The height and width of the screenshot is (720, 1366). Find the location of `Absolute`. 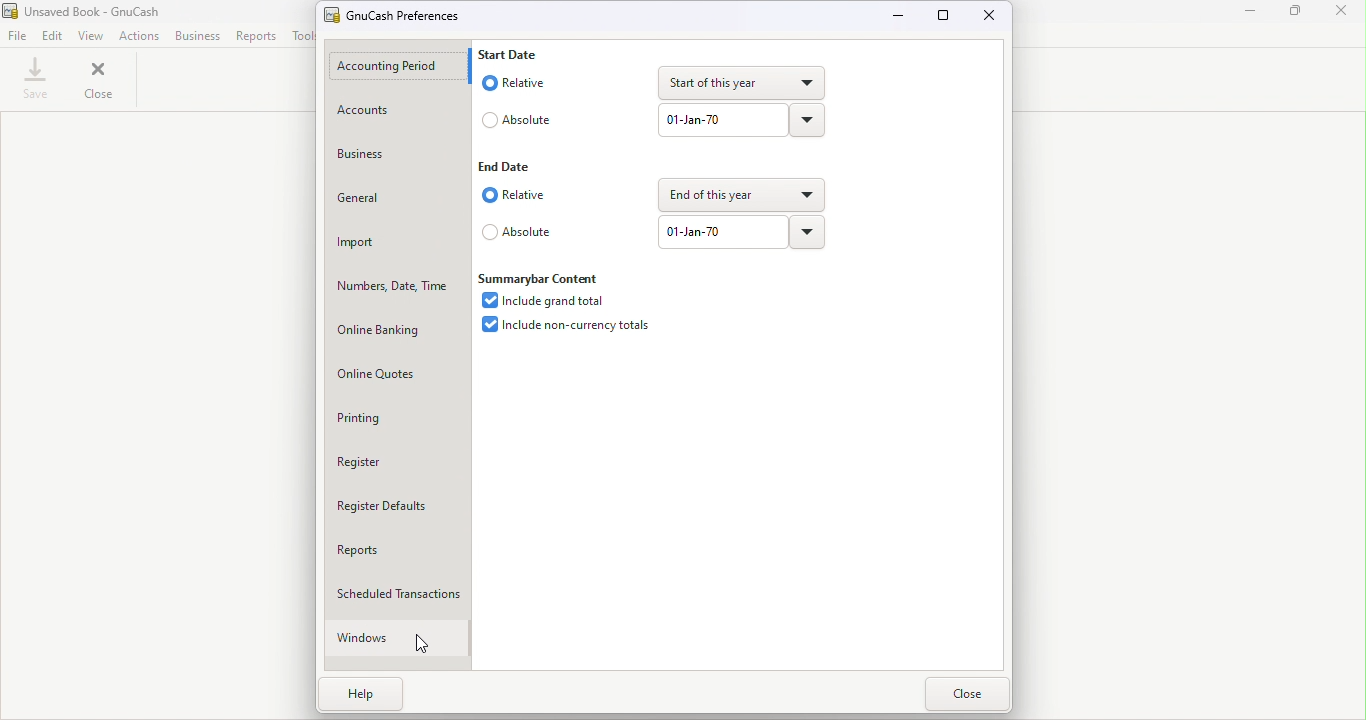

Absolute is located at coordinates (520, 118).